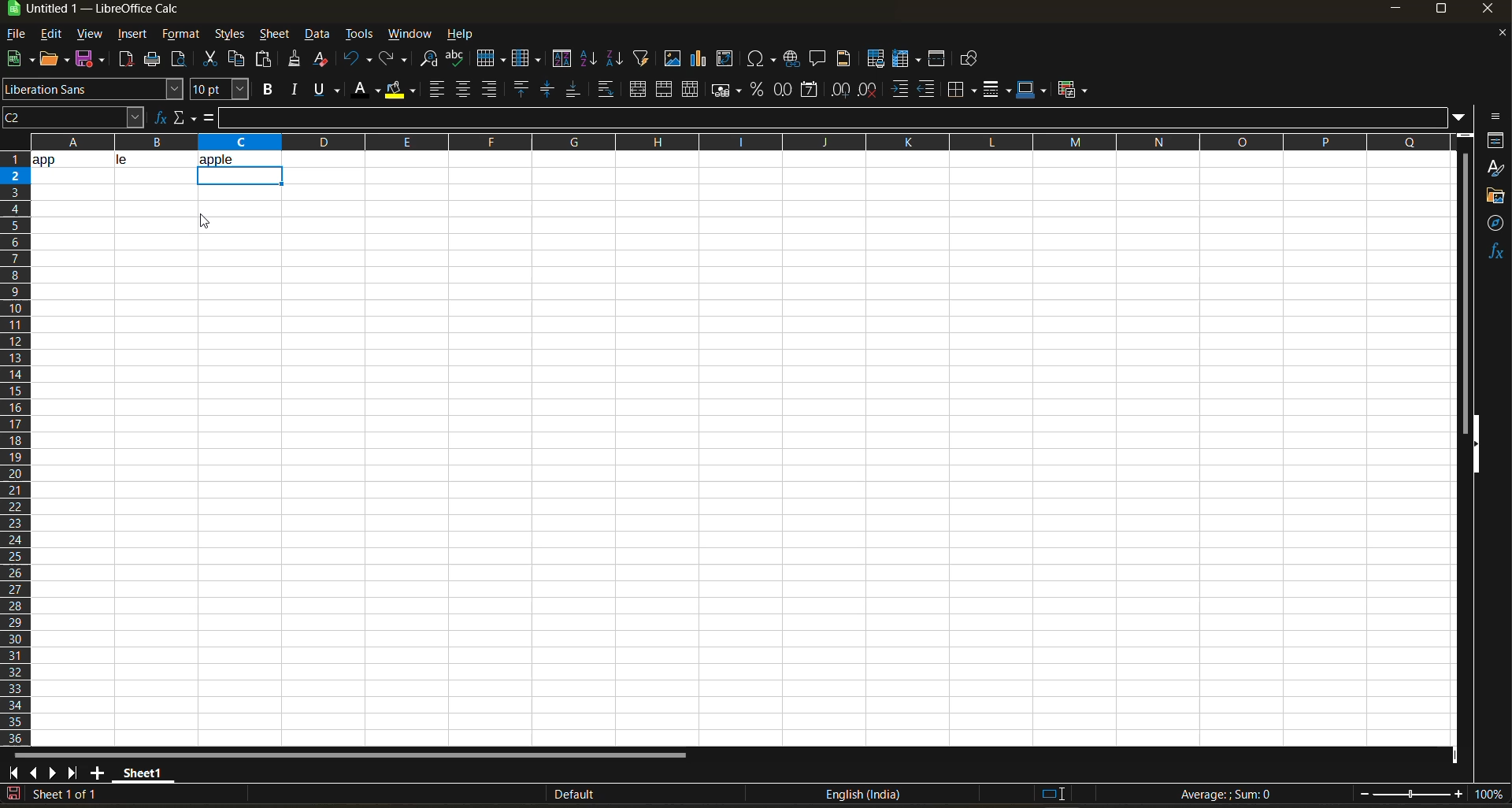  Describe the element at coordinates (1394, 9) in the screenshot. I see `minimize` at that location.